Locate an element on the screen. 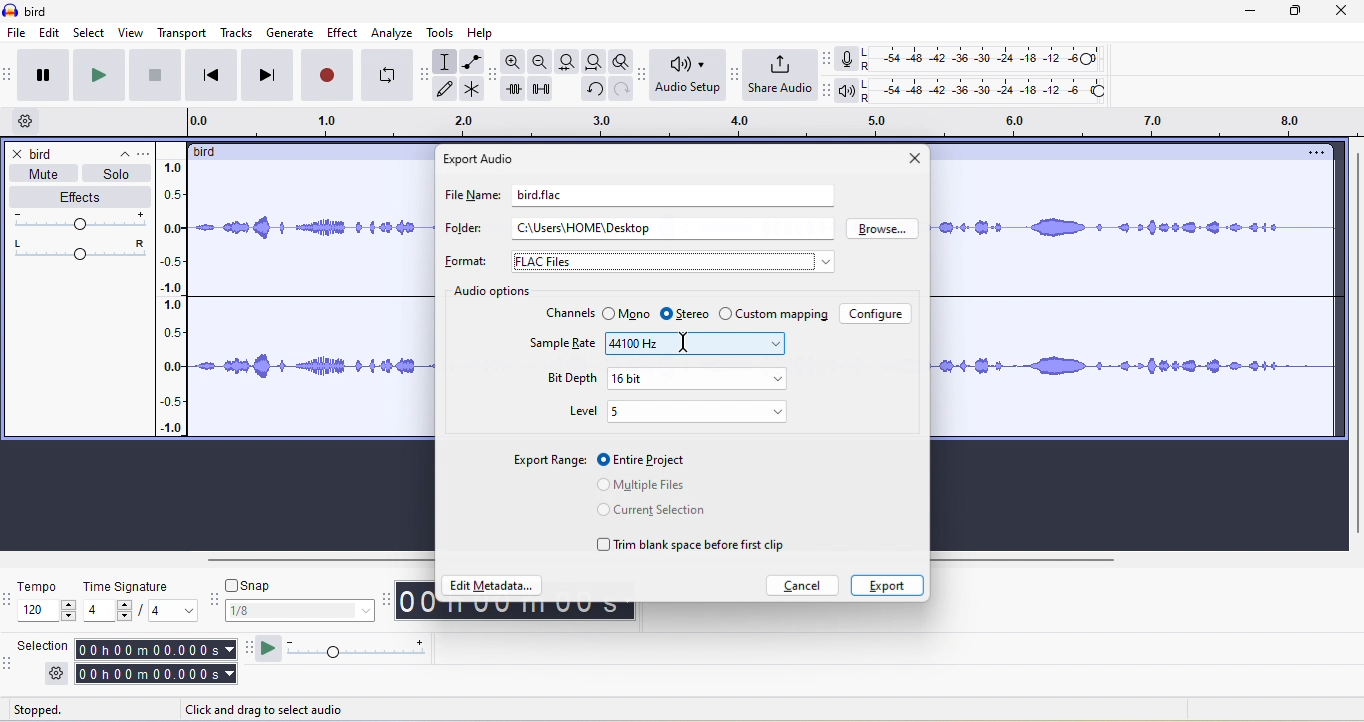 The height and width of the screenshot is (722, 1364). horizontal scroll bar is located at coordinates (1033, 559).